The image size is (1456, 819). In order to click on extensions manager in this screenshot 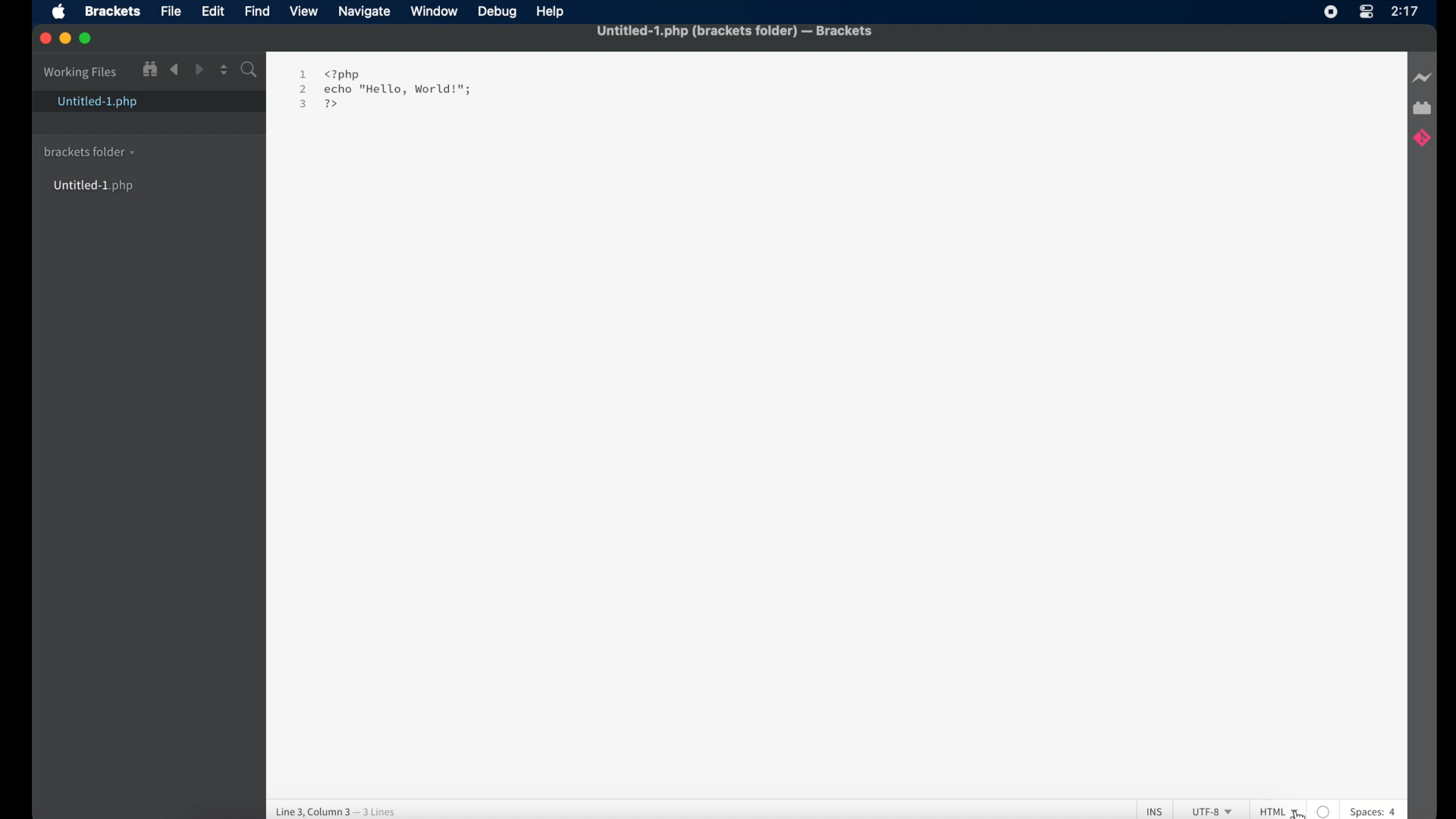, I will do `click(1422, 107)`.